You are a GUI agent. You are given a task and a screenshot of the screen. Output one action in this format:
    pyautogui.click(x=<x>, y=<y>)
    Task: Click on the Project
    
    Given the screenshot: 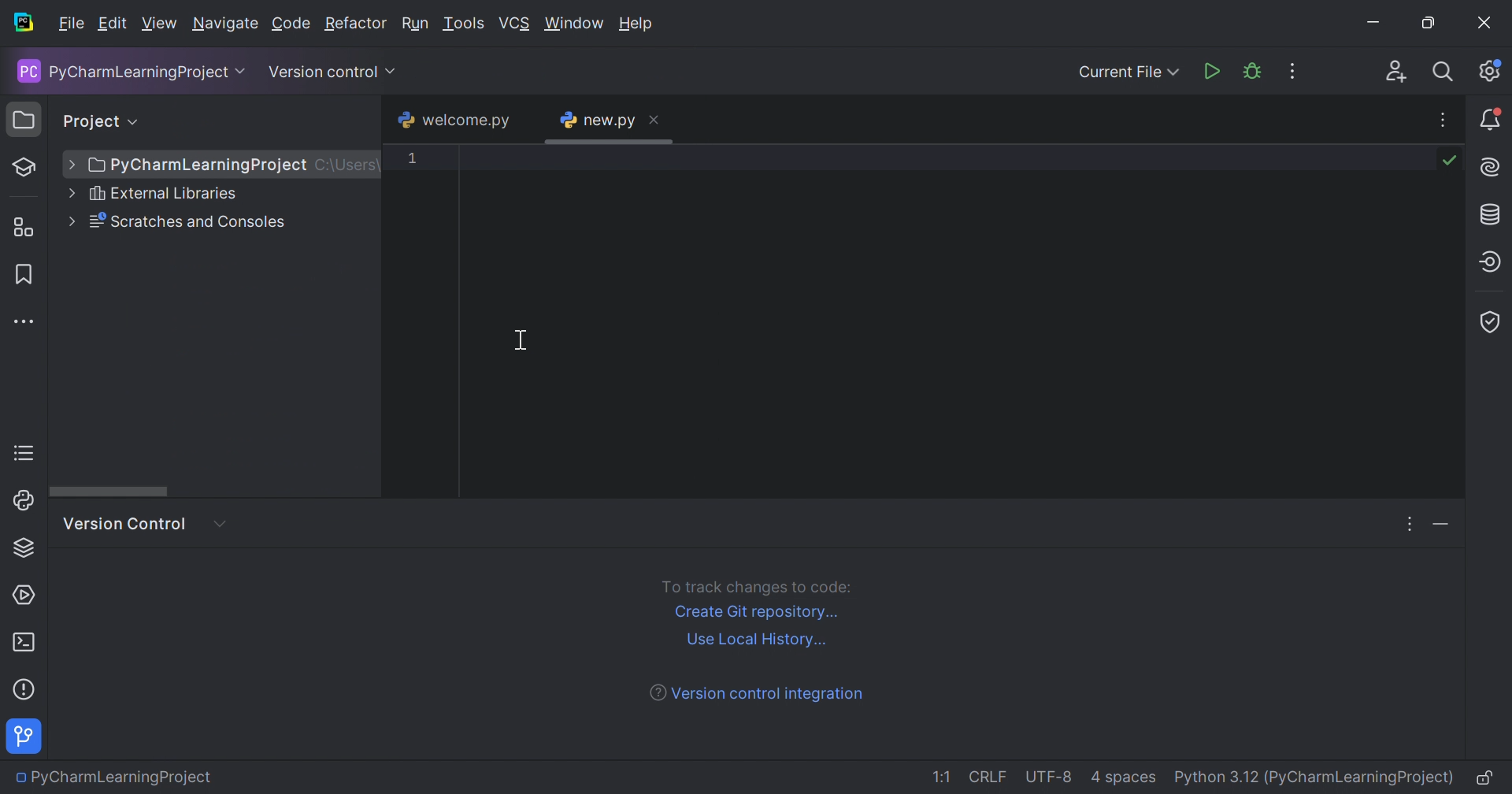 What is the action you would take?
    pyautogui.click(x=26, y=118)
    